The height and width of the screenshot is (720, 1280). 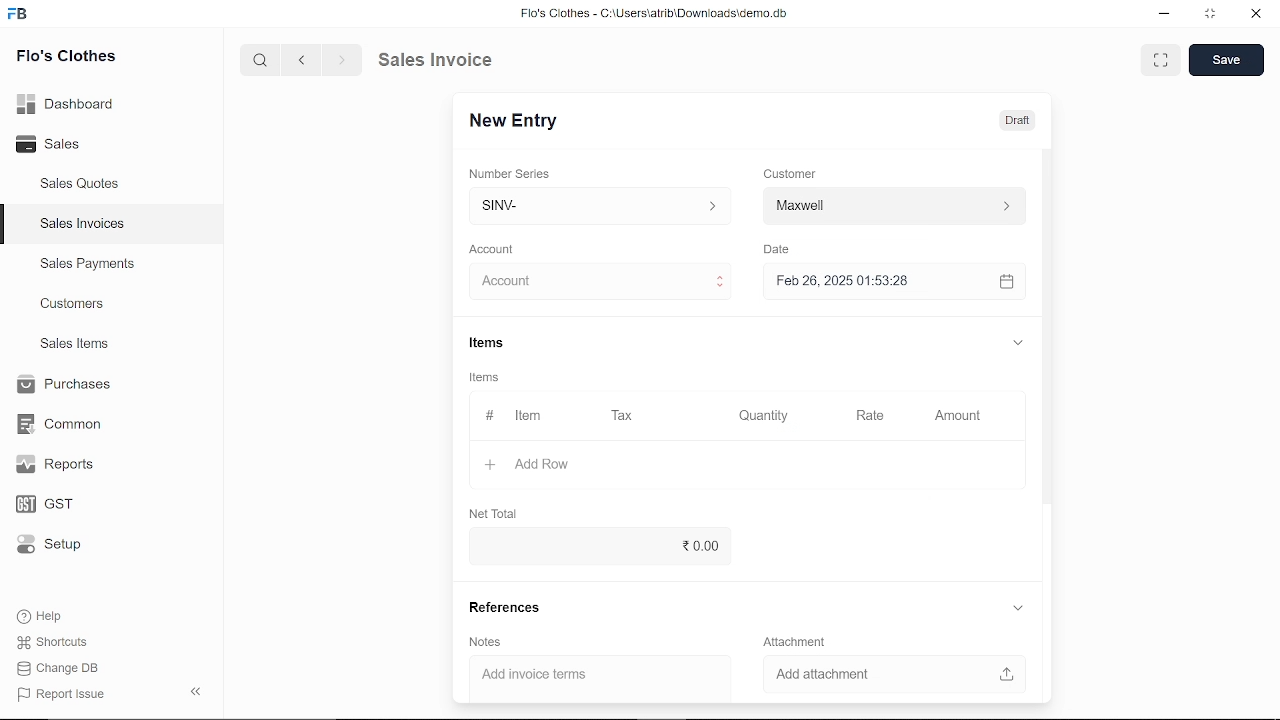 What do you see at coordinates (197, 689) in the screenshot?
I see `hide` at bounding box center [197, 689].